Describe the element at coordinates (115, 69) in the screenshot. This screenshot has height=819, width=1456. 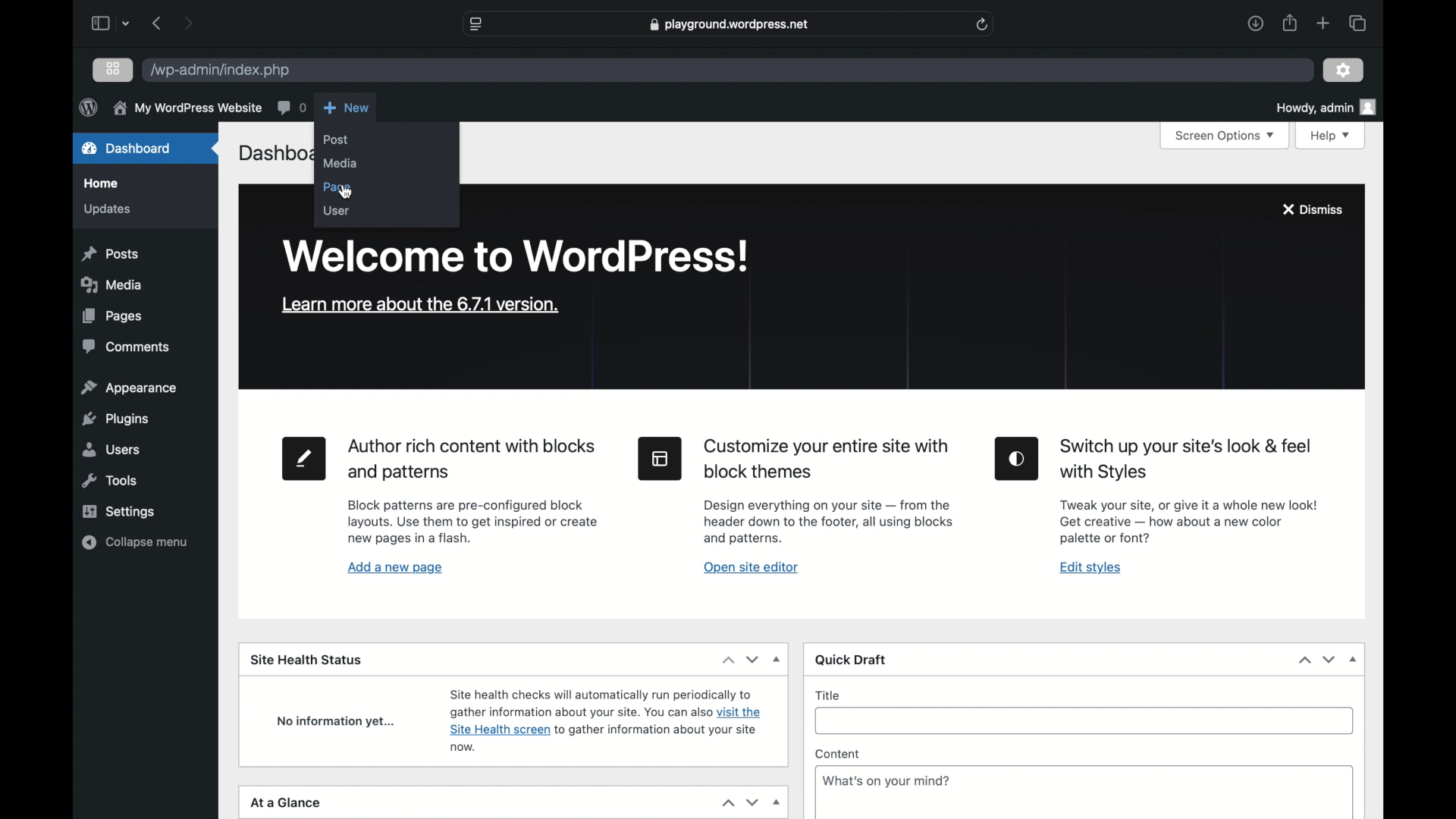
I see `grid` at that location.